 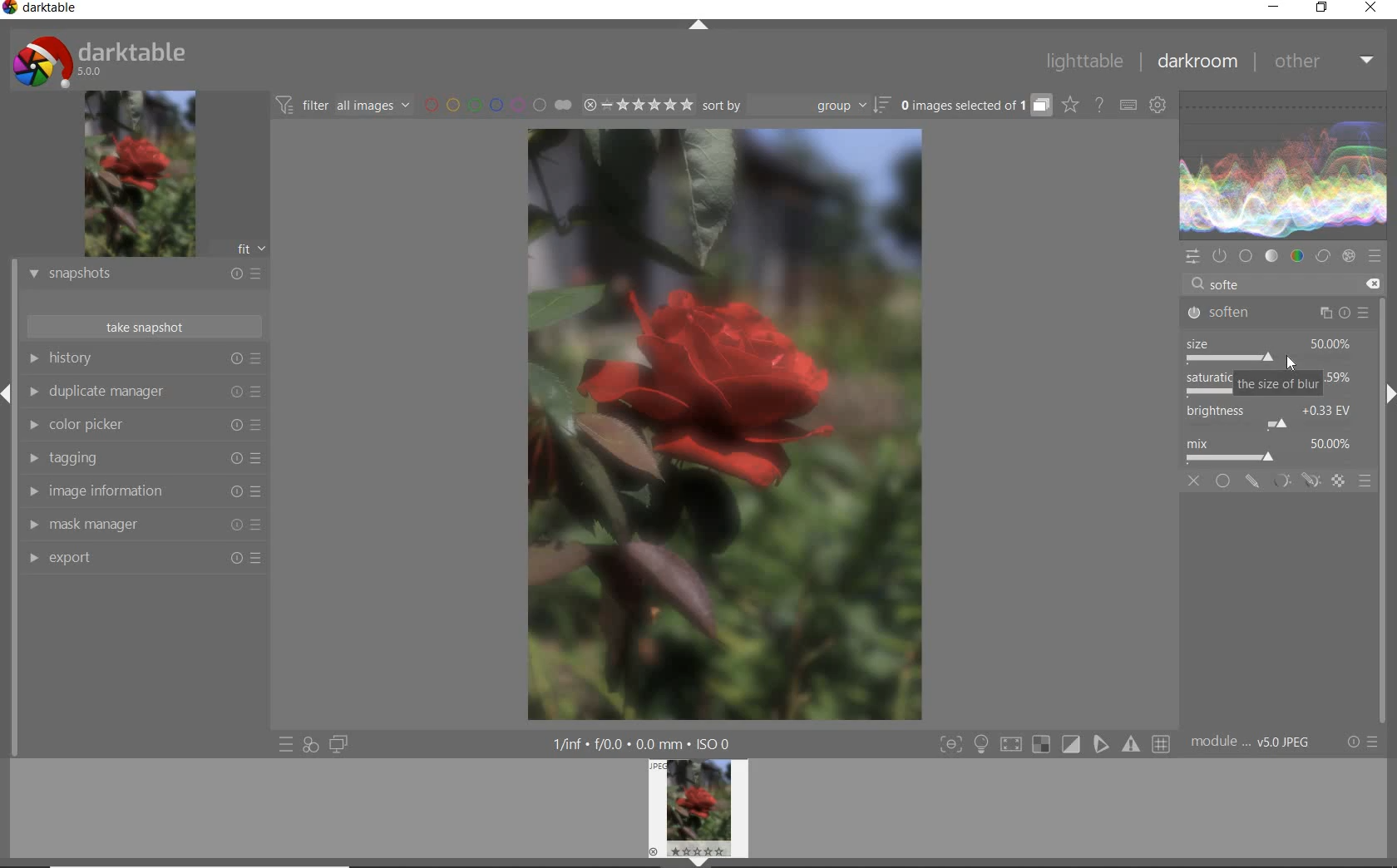 I want to click on sort, so click(x=797, y=106).